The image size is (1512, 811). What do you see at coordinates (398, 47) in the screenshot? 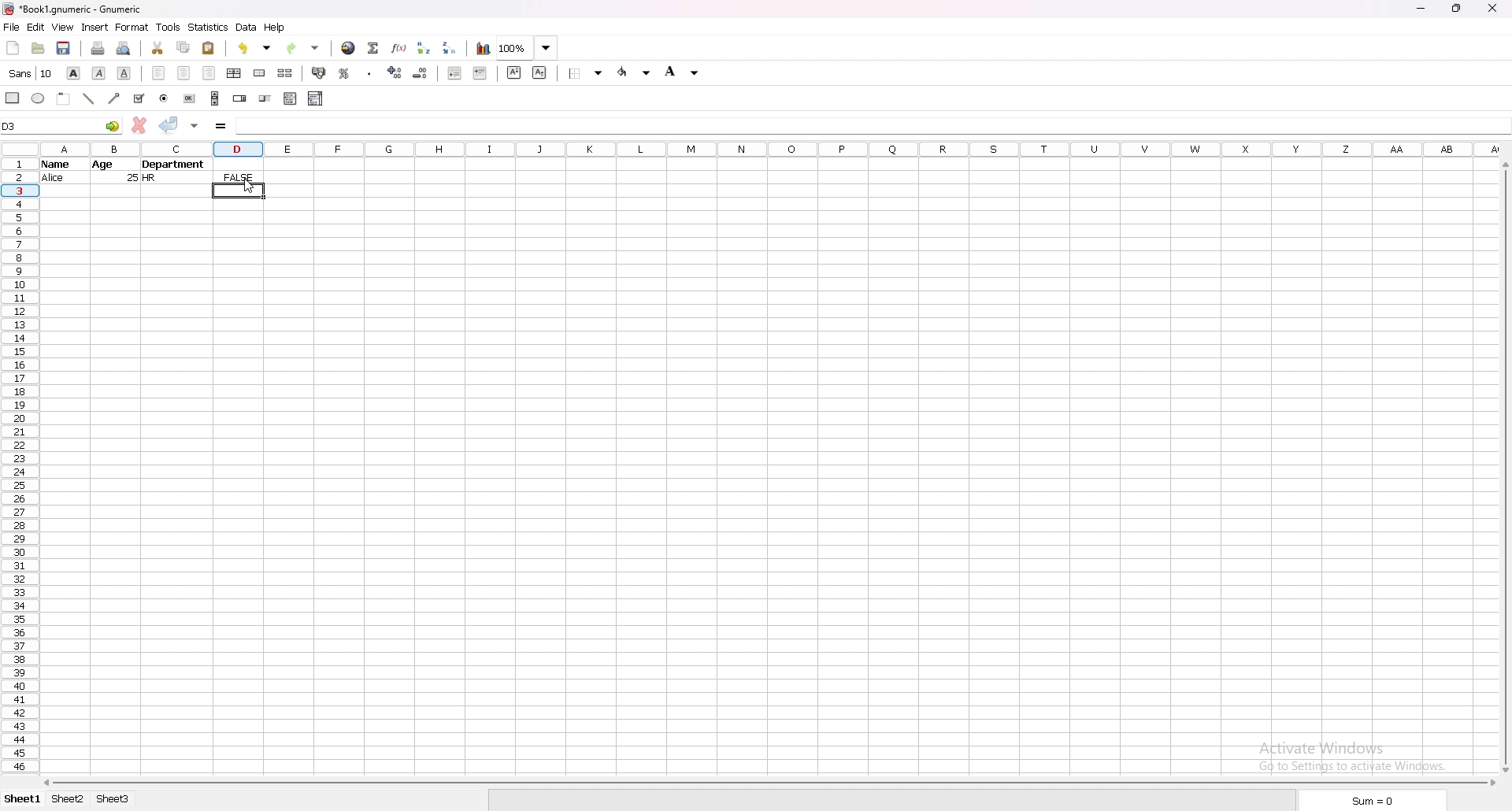
I see `functions` at bounding box center [398, 47].